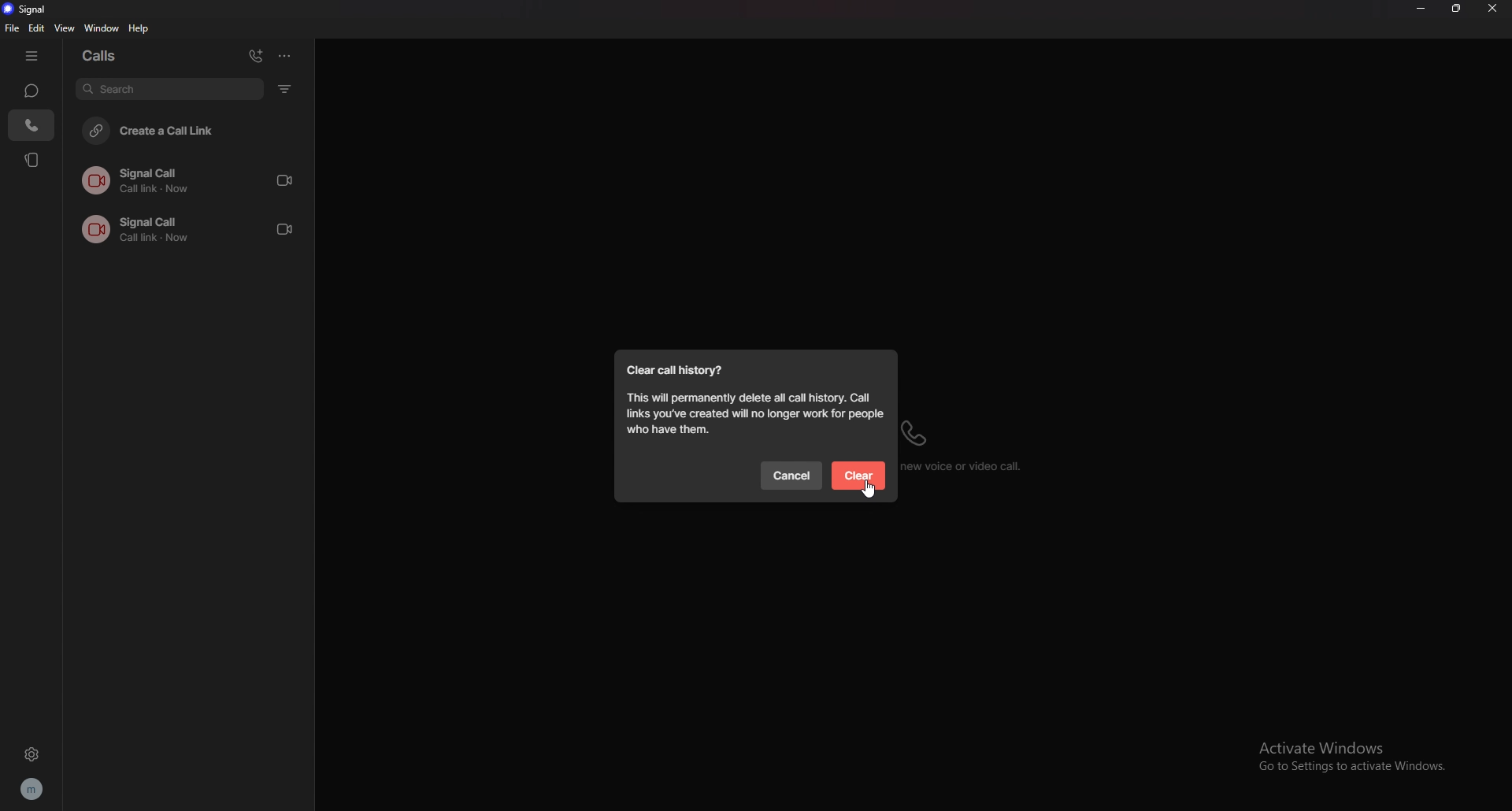 The width and height of the screenshot is (1512, 811). I want to click on clear, so click(859, 476).